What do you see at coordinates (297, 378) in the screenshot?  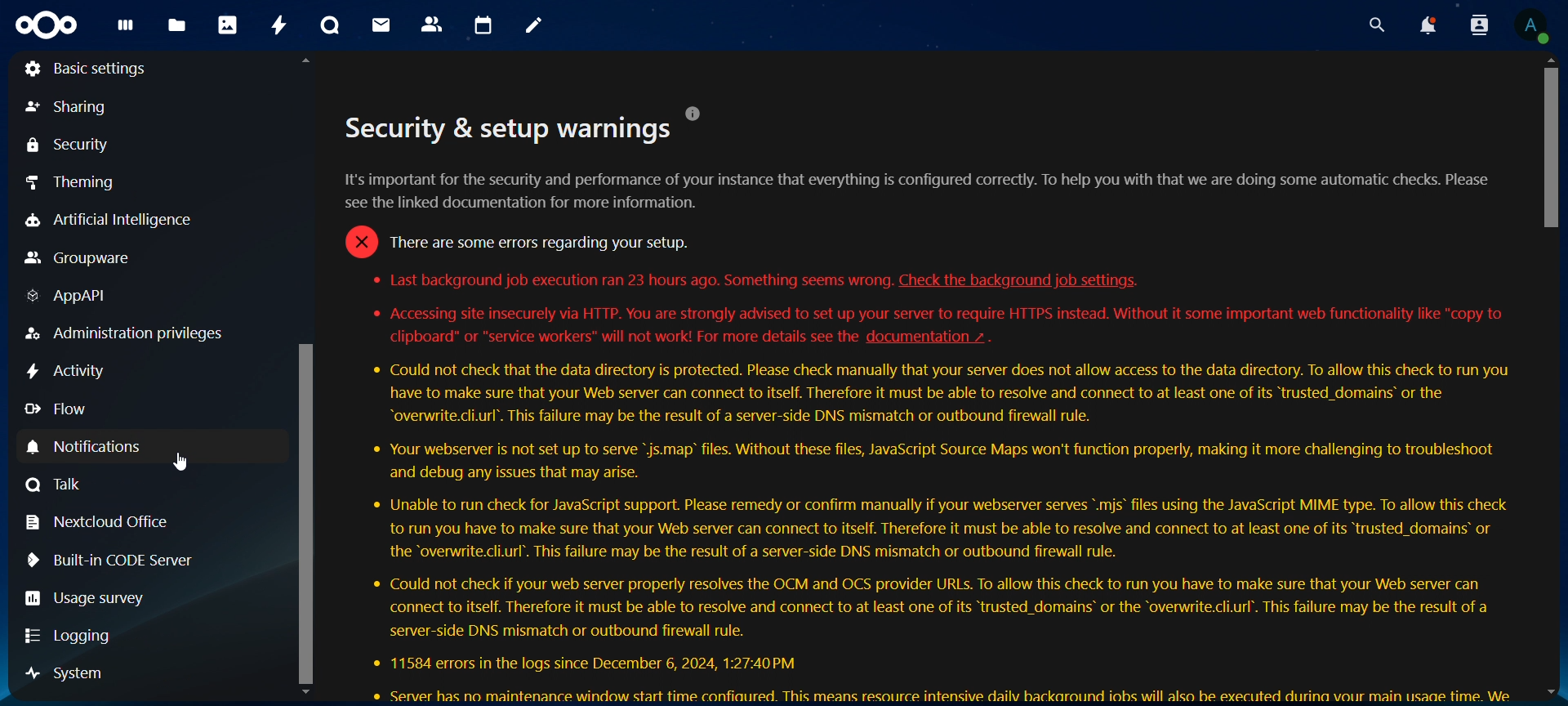 I see `Scrollbar` at bounding box center [297, 378].